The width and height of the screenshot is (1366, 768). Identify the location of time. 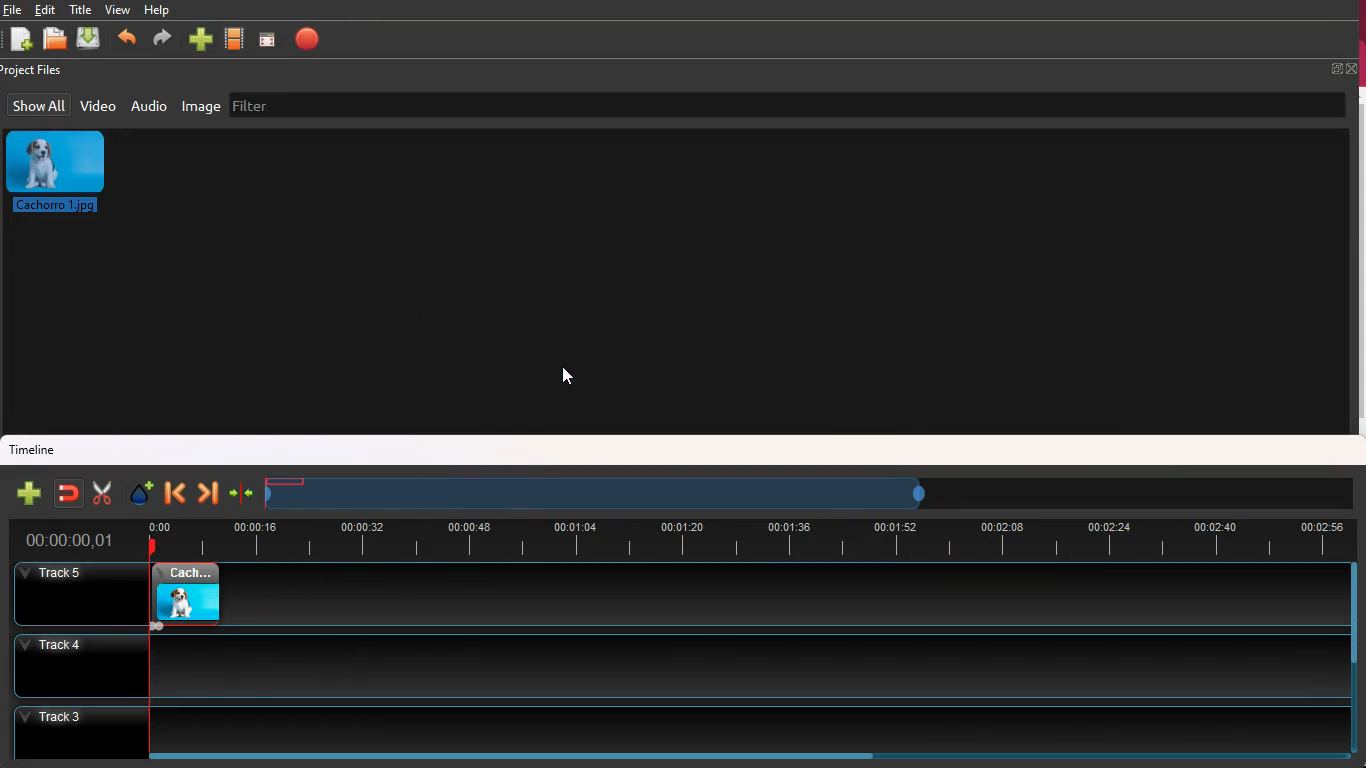
(70, 538).